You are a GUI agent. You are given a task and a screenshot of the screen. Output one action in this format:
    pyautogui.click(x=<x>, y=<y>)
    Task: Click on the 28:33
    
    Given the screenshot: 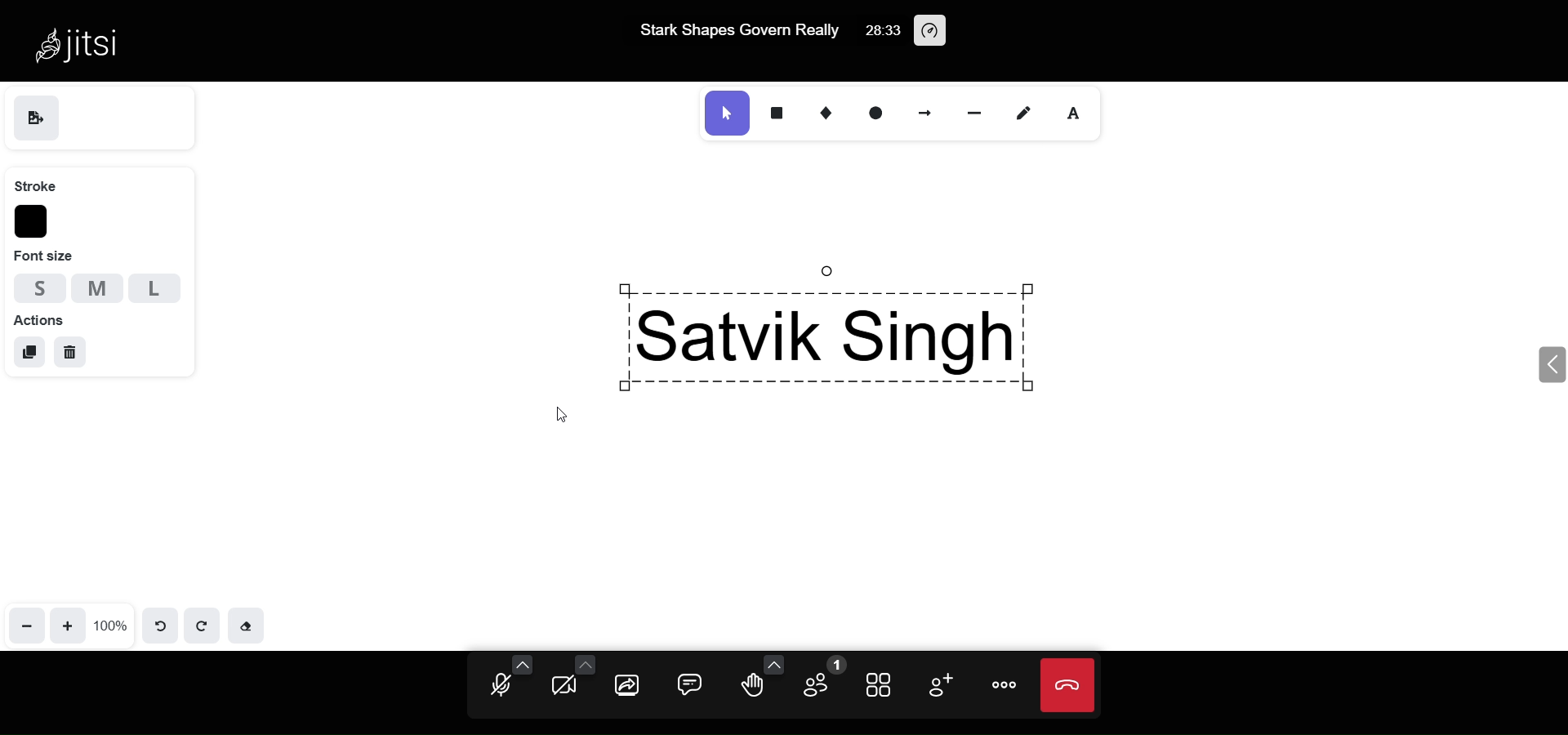 What is the action you would take?
    pyautogui.click(x=882, y=30)
    